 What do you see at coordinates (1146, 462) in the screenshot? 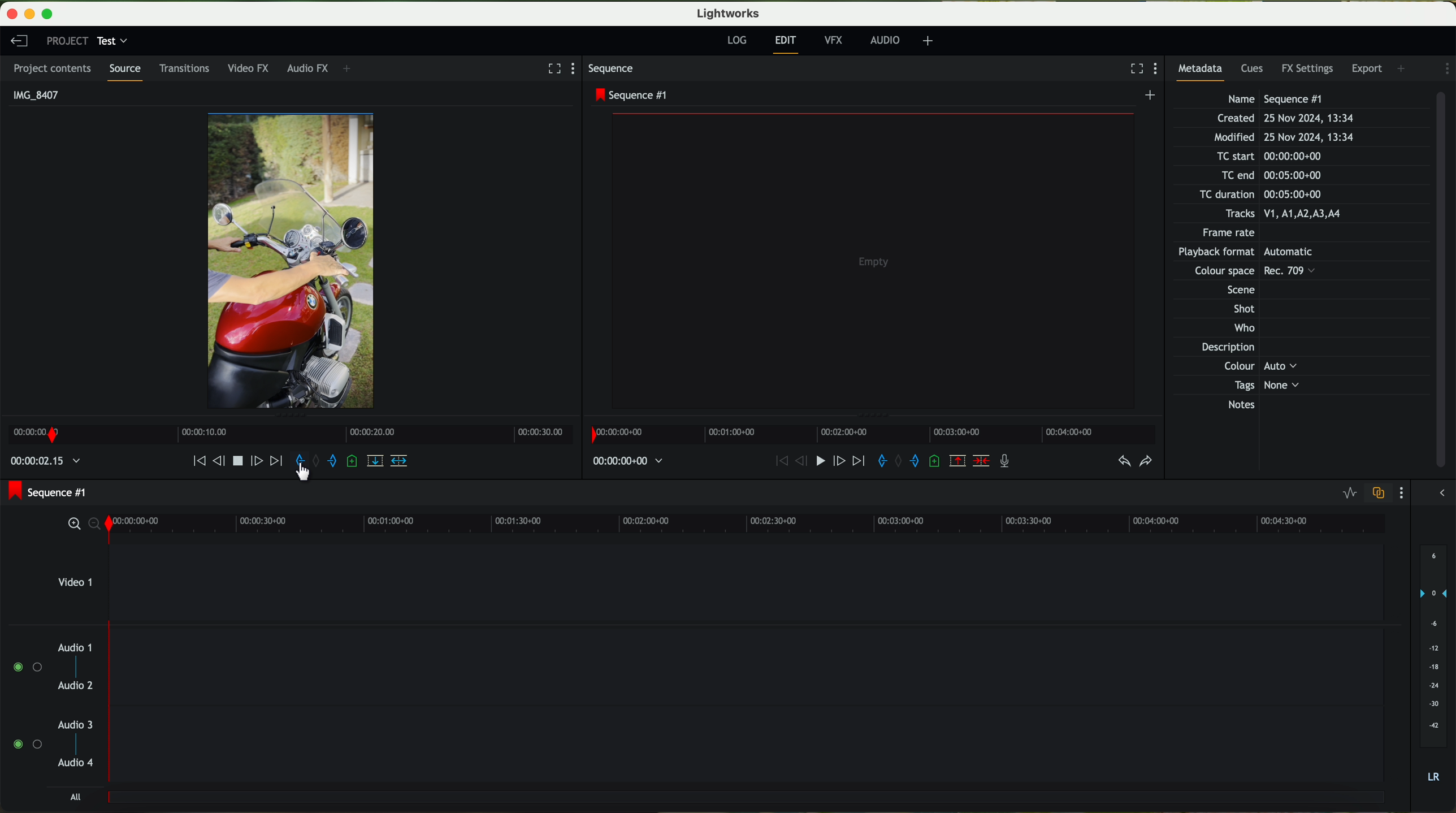
I see `redo` at bounding box center [1146, 462].